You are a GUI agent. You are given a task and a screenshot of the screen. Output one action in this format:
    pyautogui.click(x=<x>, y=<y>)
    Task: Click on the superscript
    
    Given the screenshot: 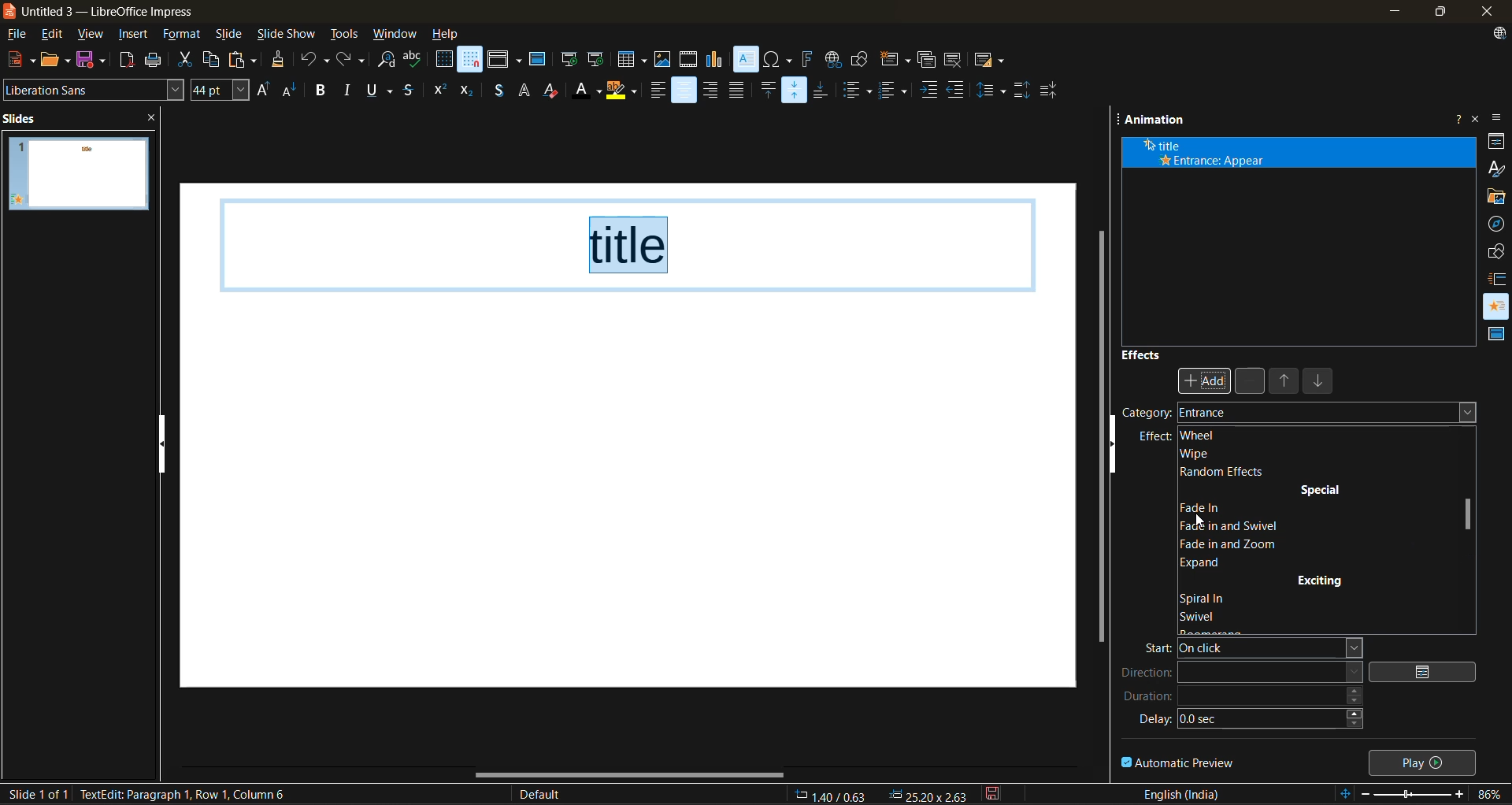 What is the action you would take?
    pyautogui.click(x=439, y=88)
    